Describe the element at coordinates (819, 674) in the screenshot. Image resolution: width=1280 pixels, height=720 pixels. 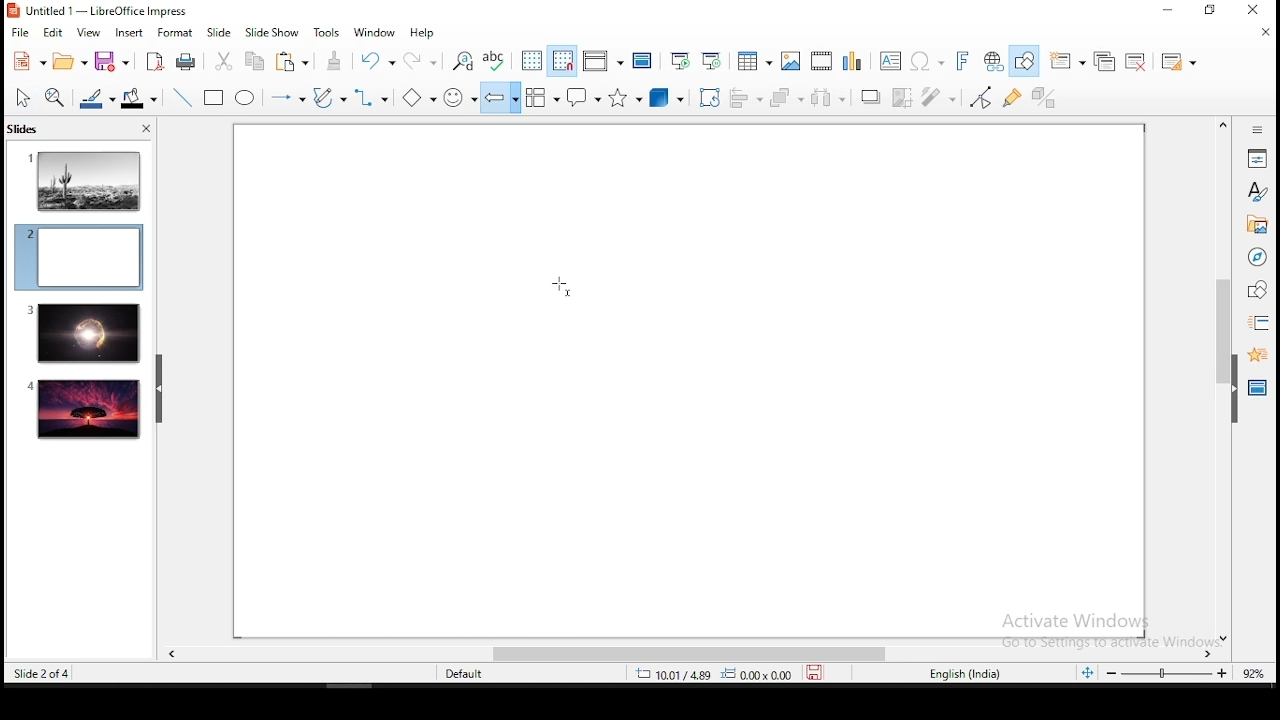
I see `save` at that location.